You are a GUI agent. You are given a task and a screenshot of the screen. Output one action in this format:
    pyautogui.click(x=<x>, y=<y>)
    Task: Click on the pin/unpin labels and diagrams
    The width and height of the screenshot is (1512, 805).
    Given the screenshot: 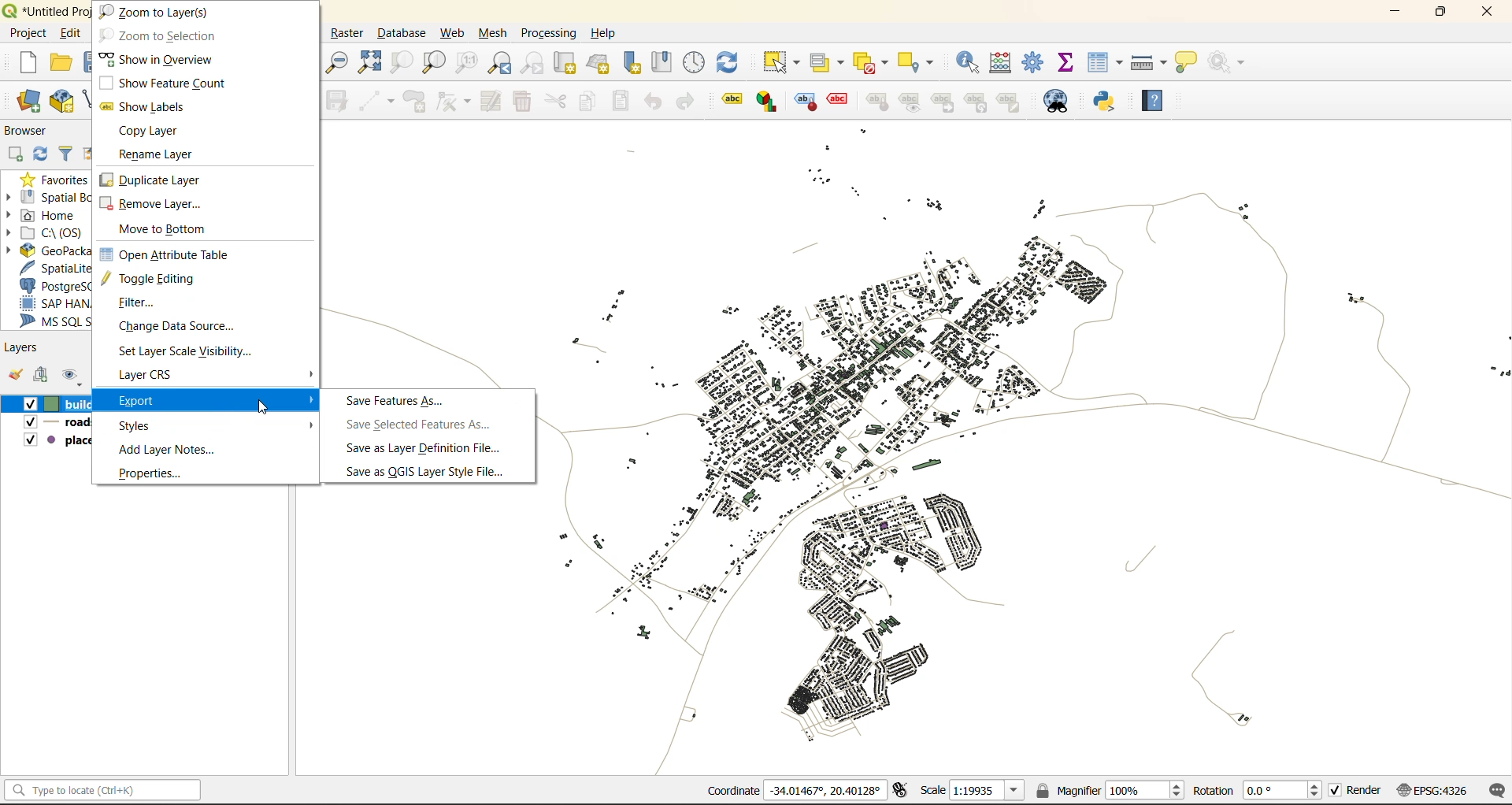 What is the action you would take?
    pyautogui.click(x=875, y=102)
    